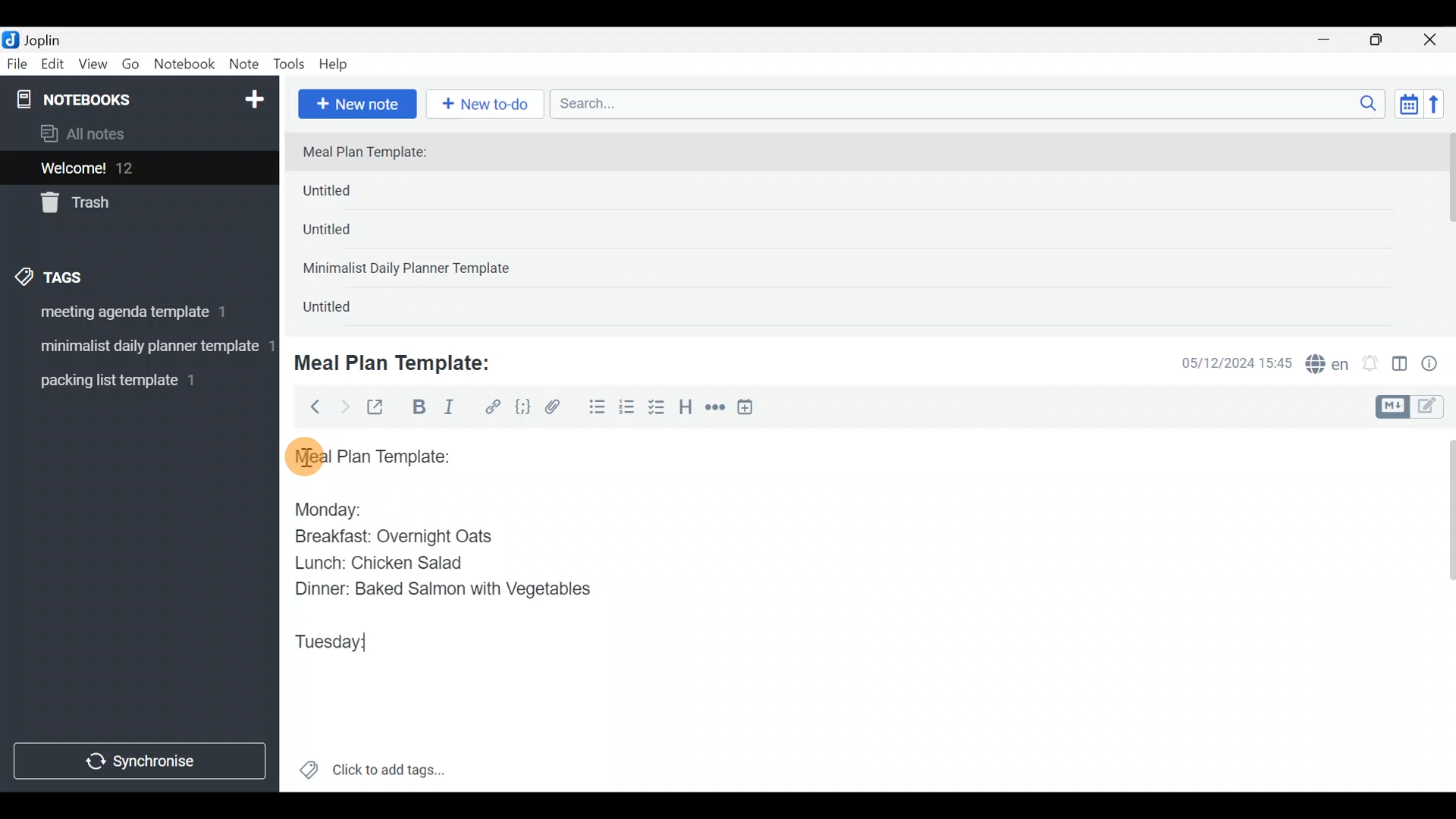  What do you see at coordinates (339, 61) in the screenshot?
I see `Help` at bounding box center [339, 61].